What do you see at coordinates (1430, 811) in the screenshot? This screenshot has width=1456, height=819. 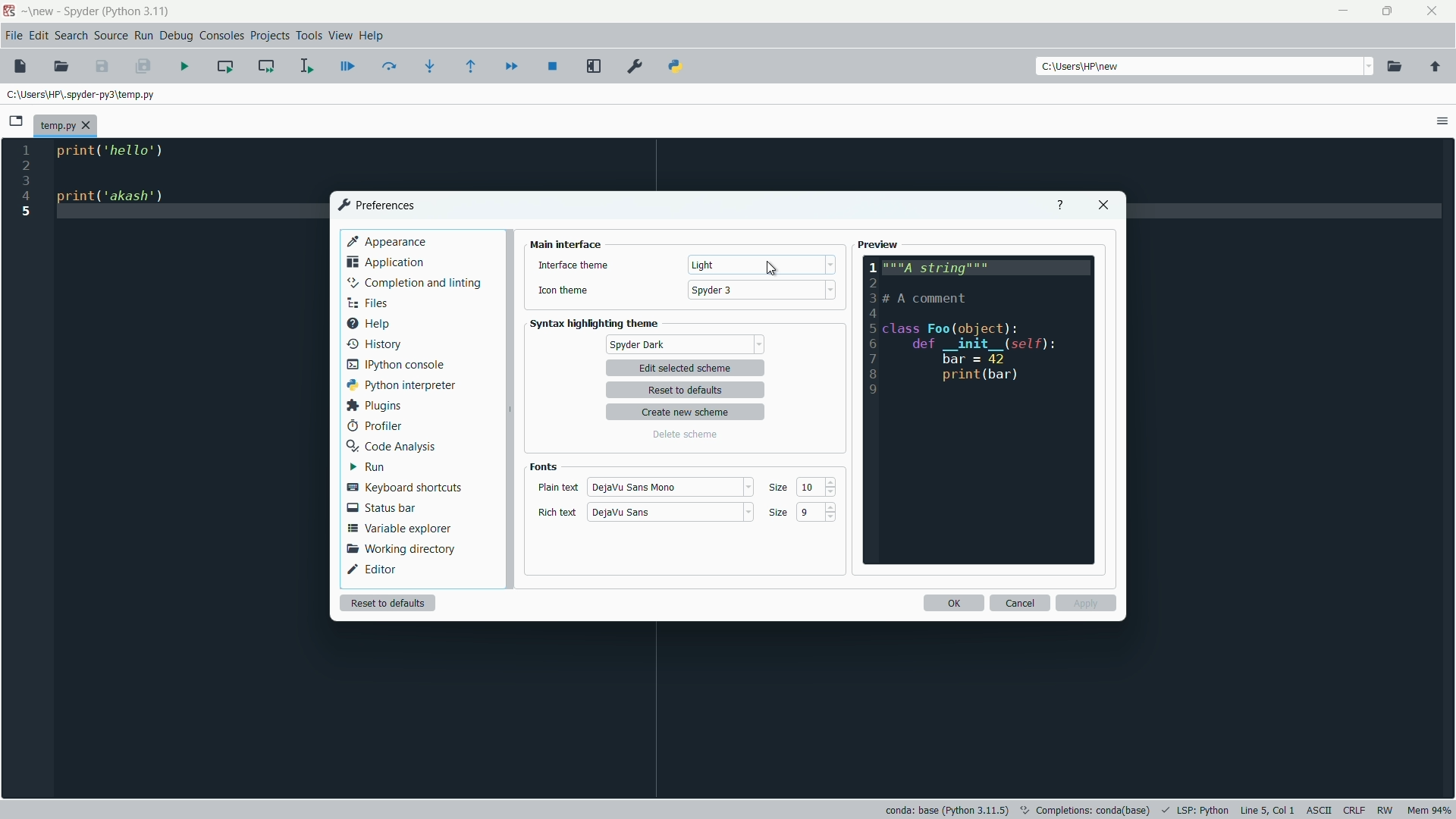 I see `memory usage` at bounding box center [1430, 811].